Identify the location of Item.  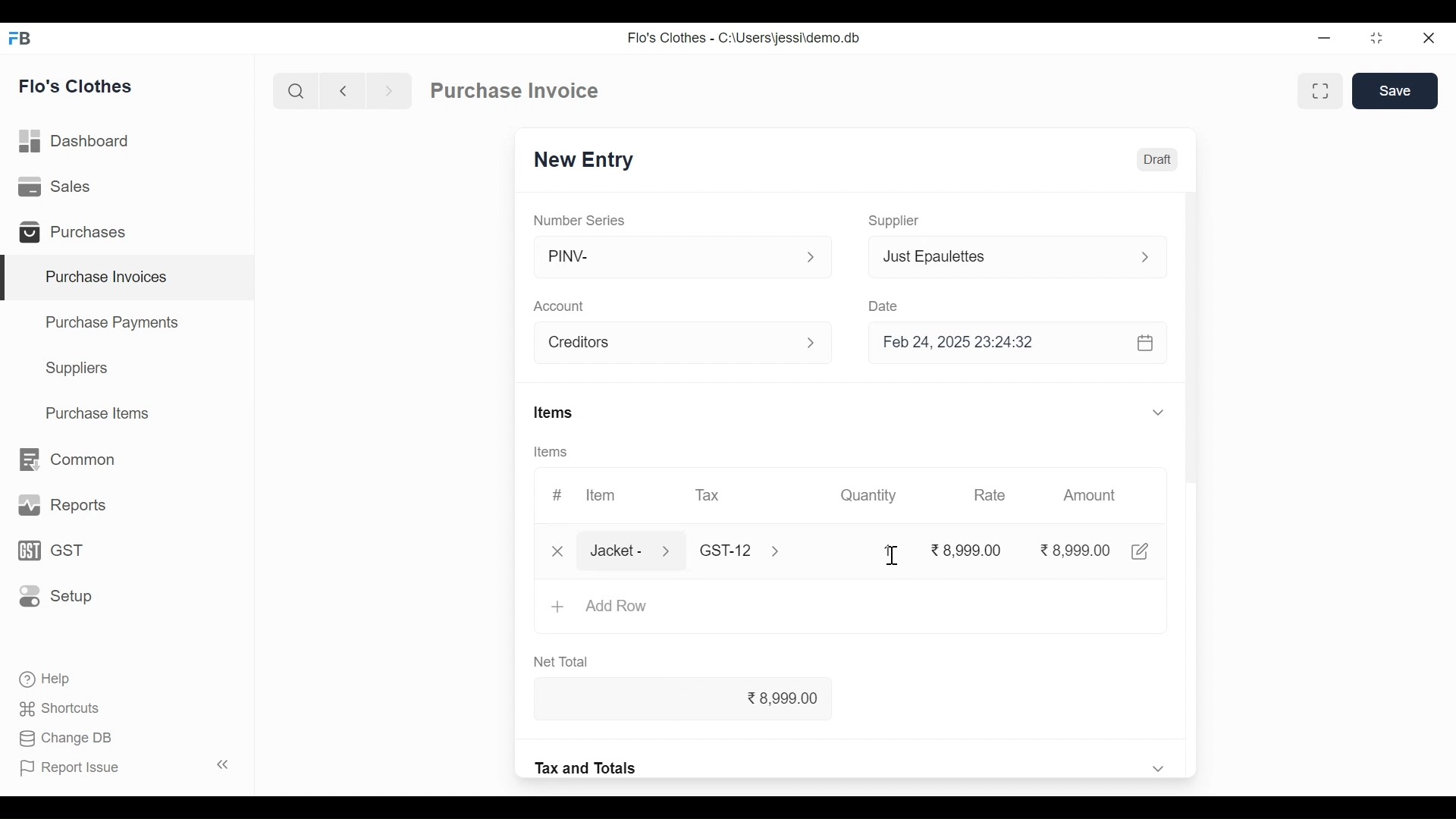
(601, 494).